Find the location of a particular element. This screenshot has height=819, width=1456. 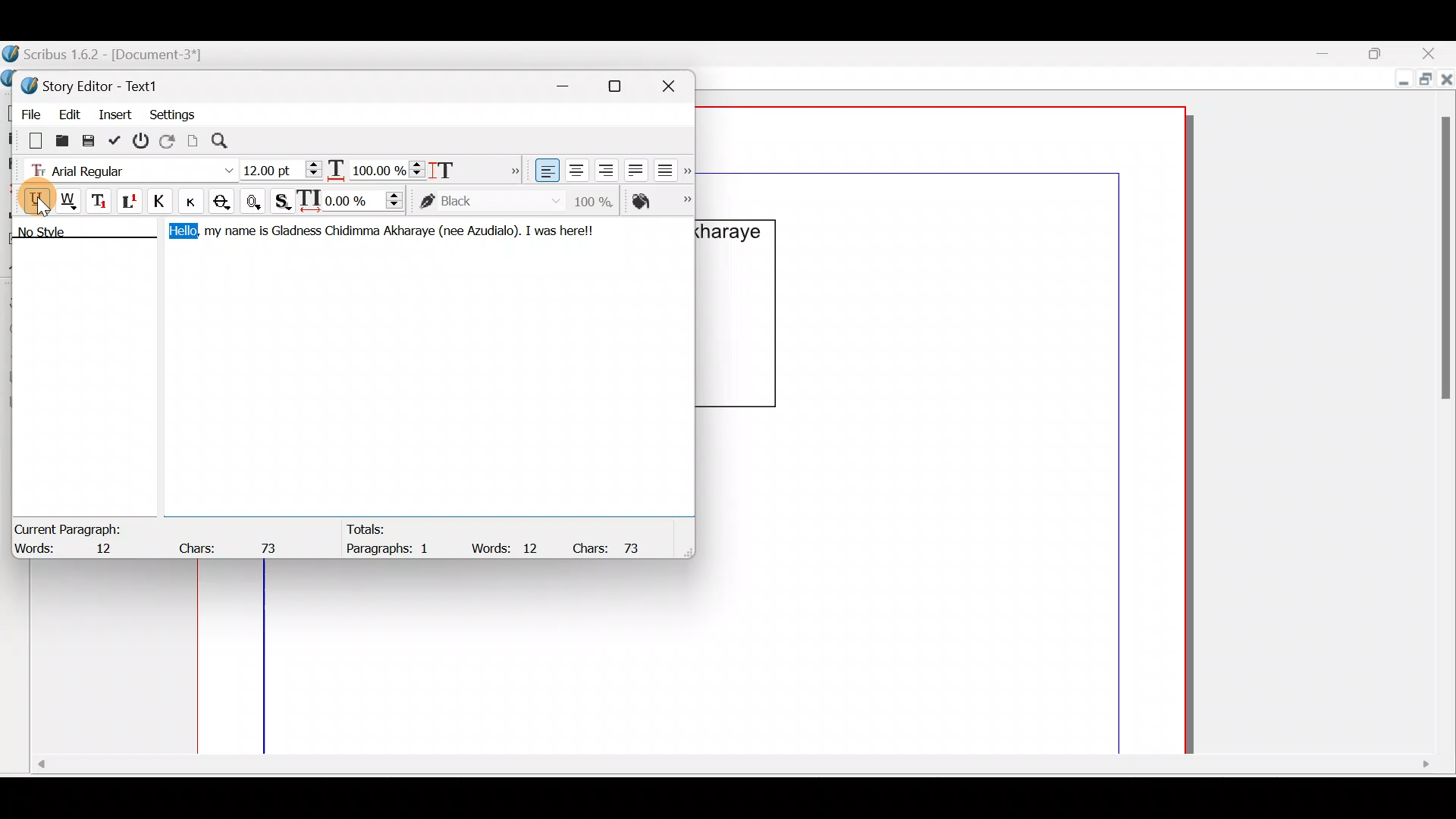

Scribus 1.6.2 - [Document-3*] is located at coordinates (120, 55).